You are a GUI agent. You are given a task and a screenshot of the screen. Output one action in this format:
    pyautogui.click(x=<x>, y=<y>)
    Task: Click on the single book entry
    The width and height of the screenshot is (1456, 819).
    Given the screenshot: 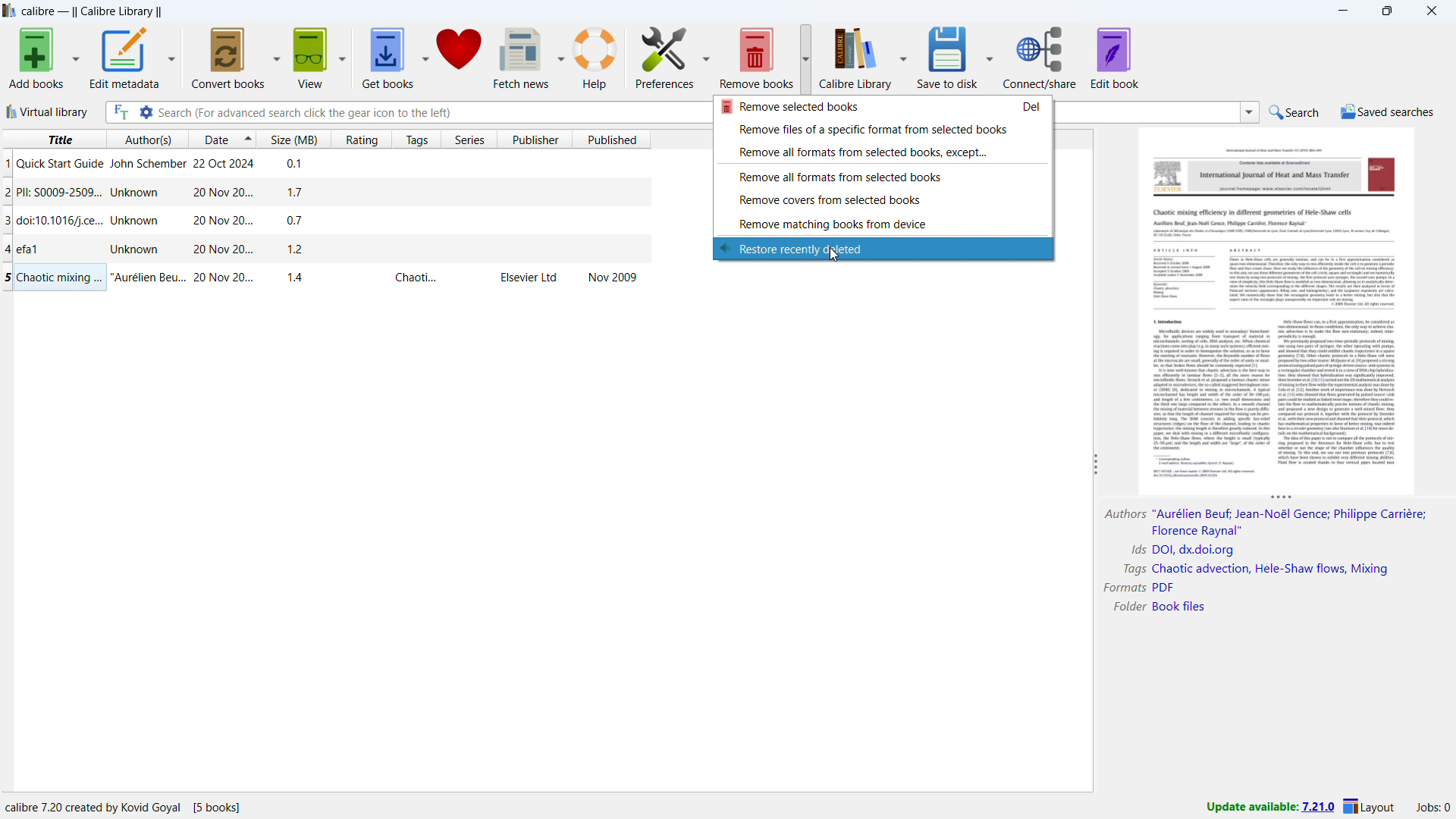 What is the action you would take?
    pyautogui.click(x=326, y=221)
    